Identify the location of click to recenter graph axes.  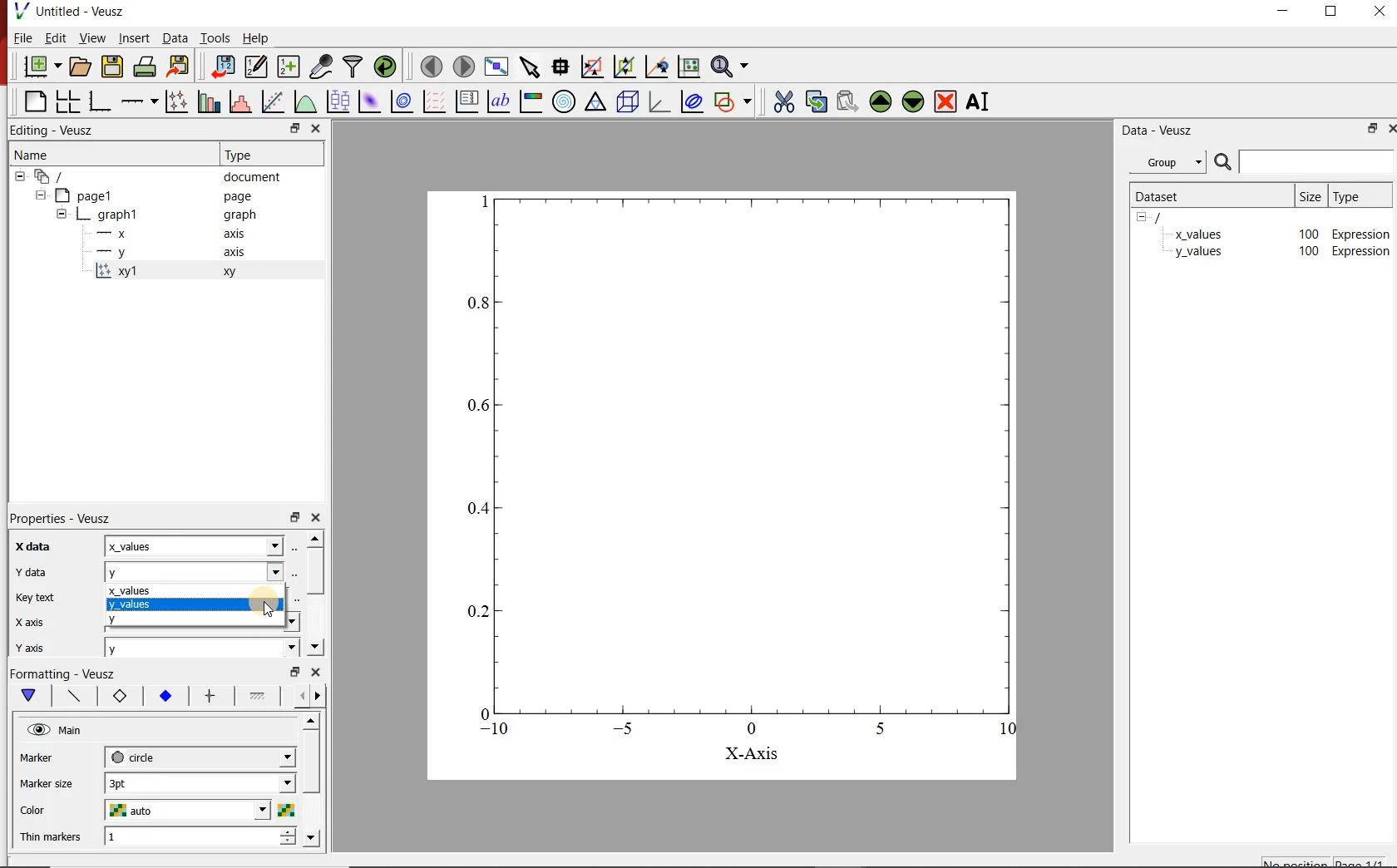
(656, 67).